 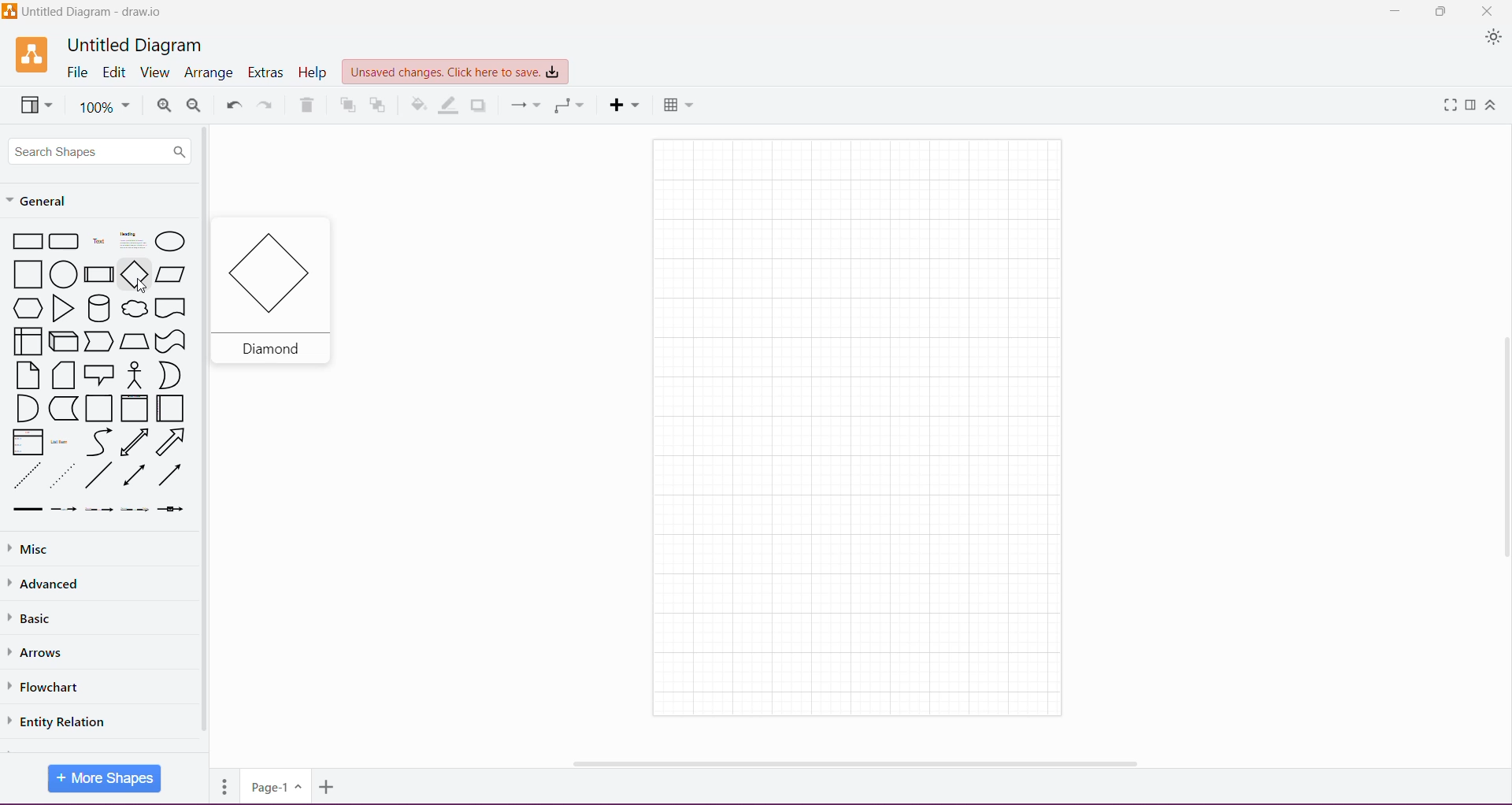 What do you see at coordinates (265, 72) in the screenshot?
I see `Extras` at bounding box center [265, 72].